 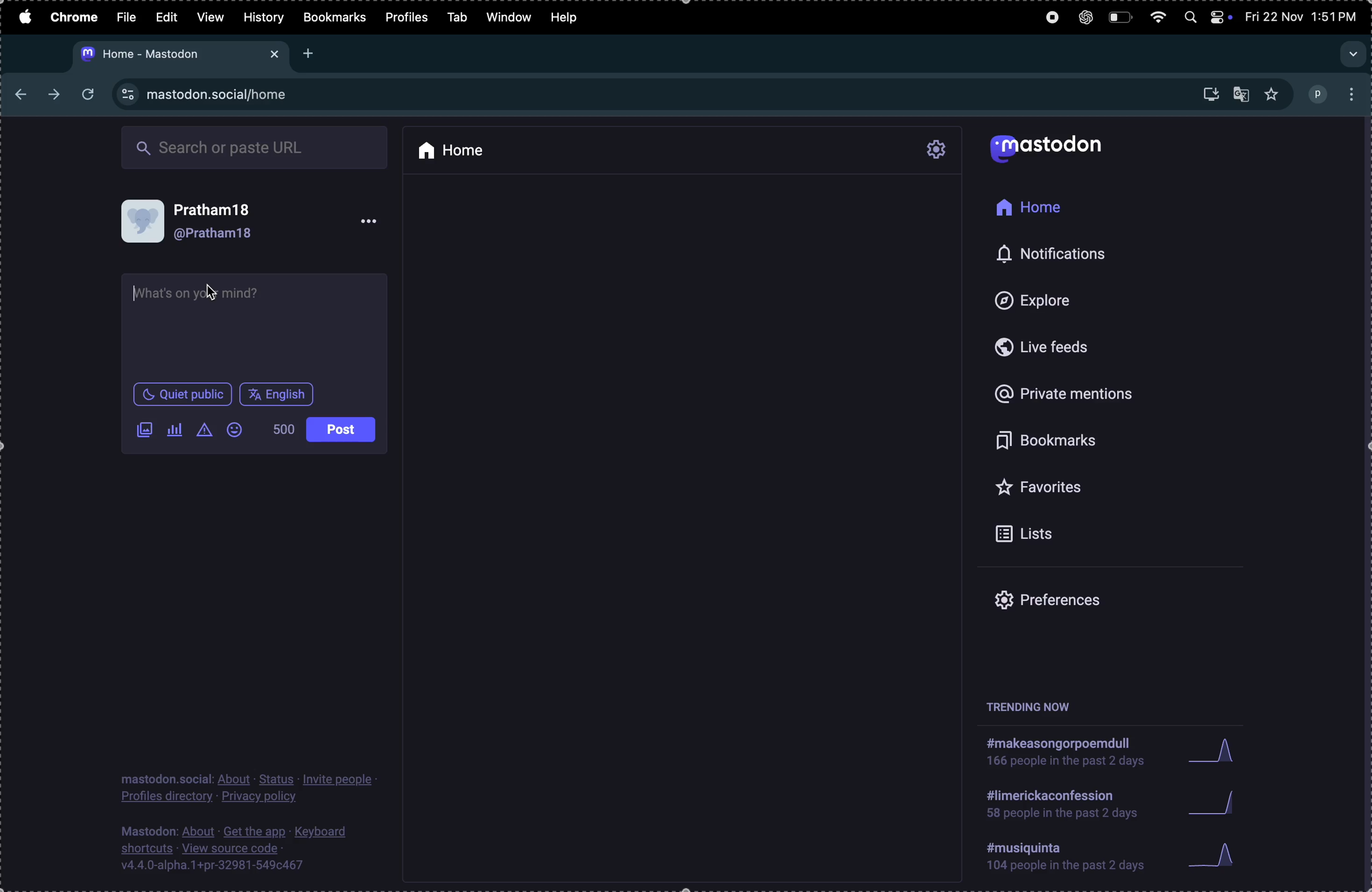 What do you see at coordinates (1071, 599) in the screenshot?
I see `prefrences` at bounding box center [1071, 599].